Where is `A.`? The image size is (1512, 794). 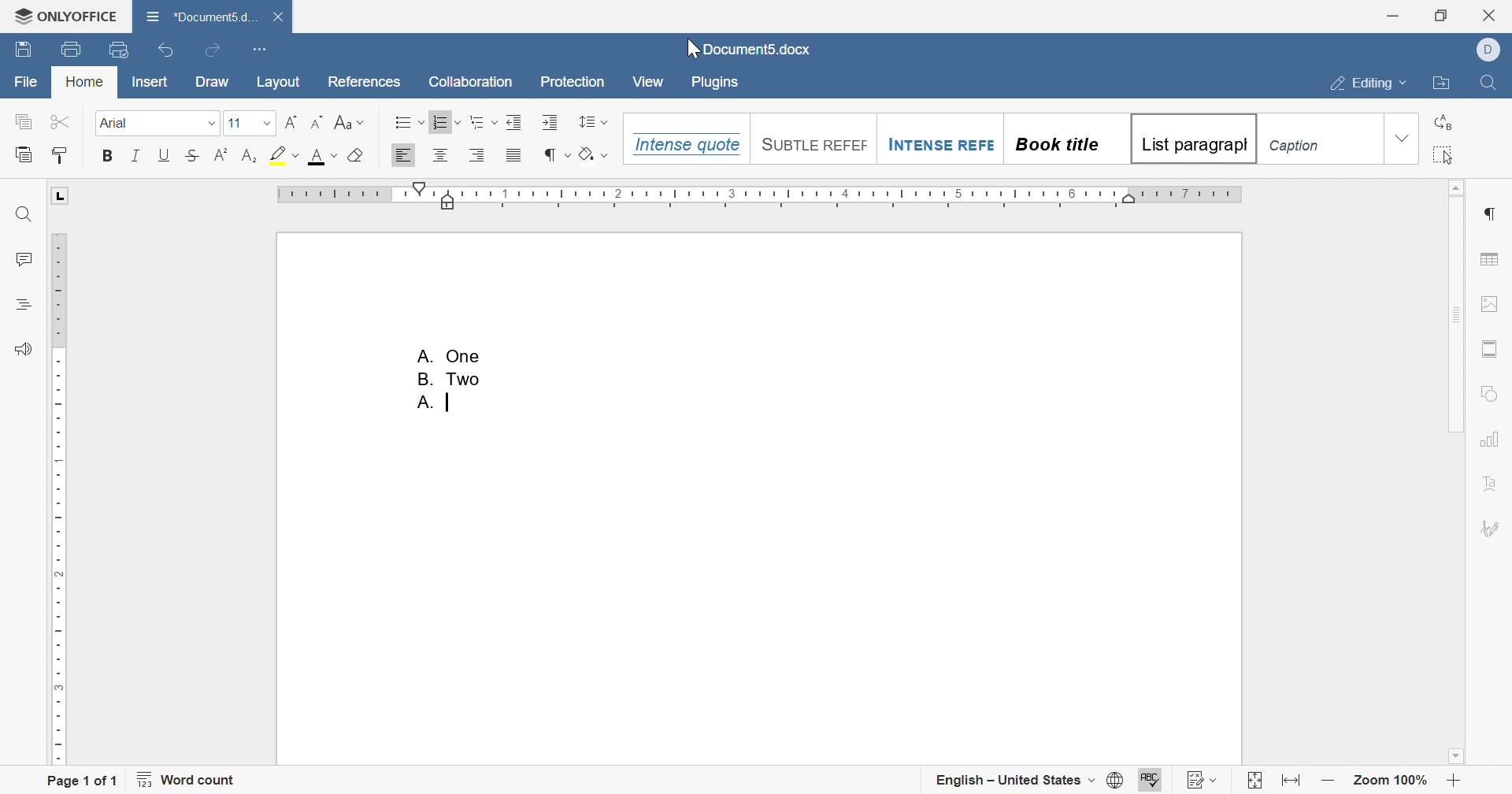
A. is located at coordinates (426, 402).